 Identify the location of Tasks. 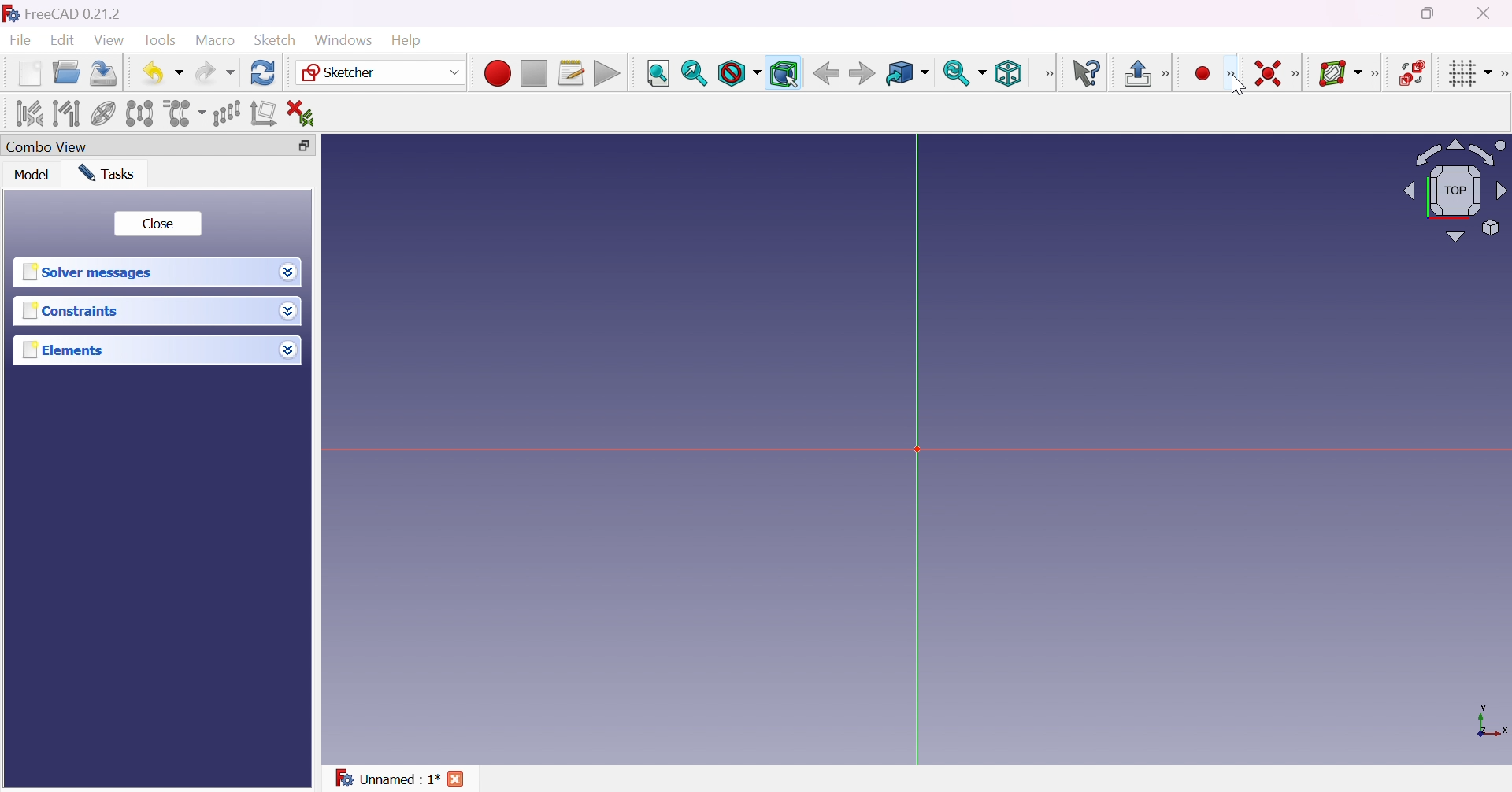
(109, 174).